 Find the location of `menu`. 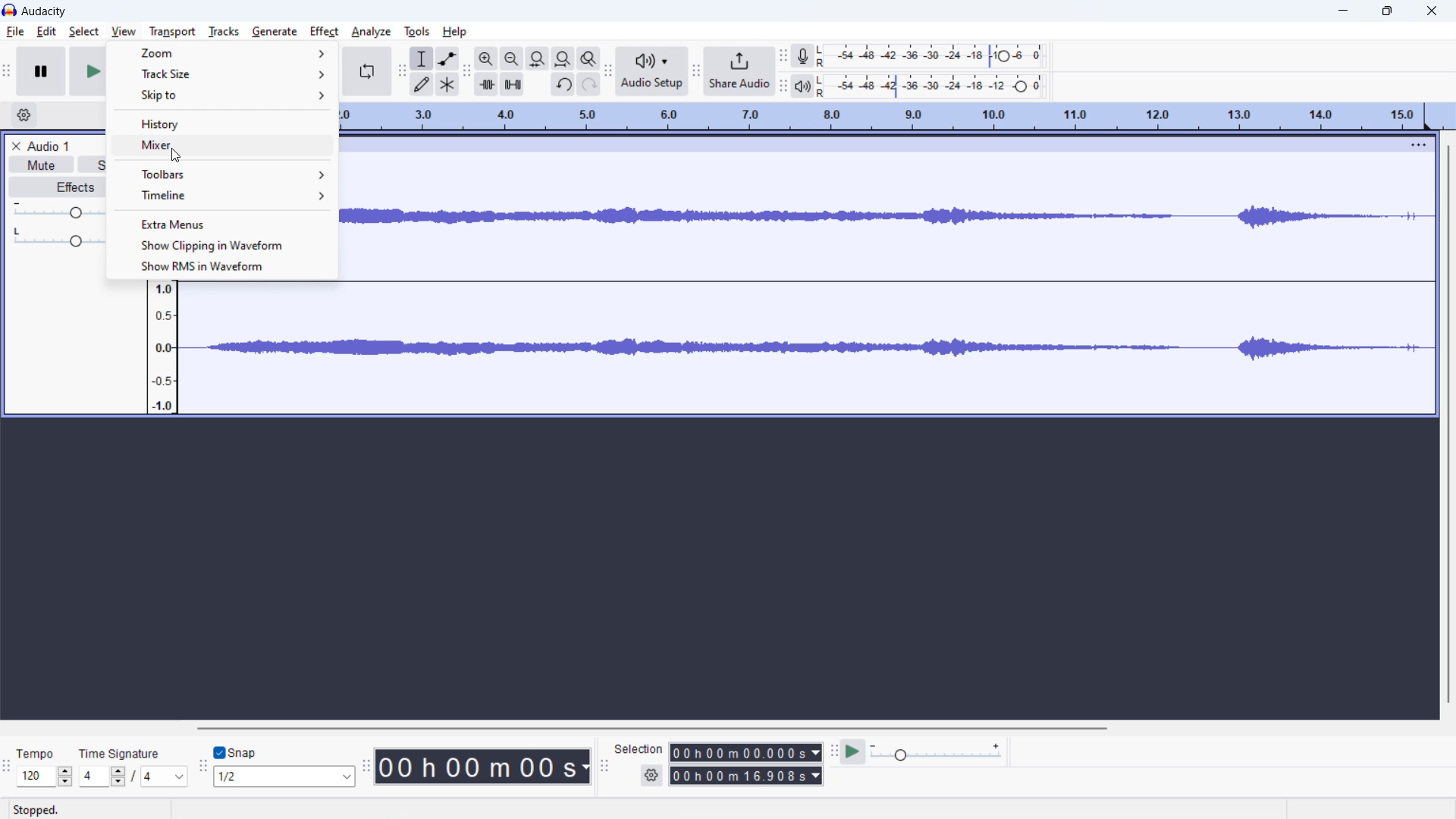

menu is located at coordinates (1417, 144).